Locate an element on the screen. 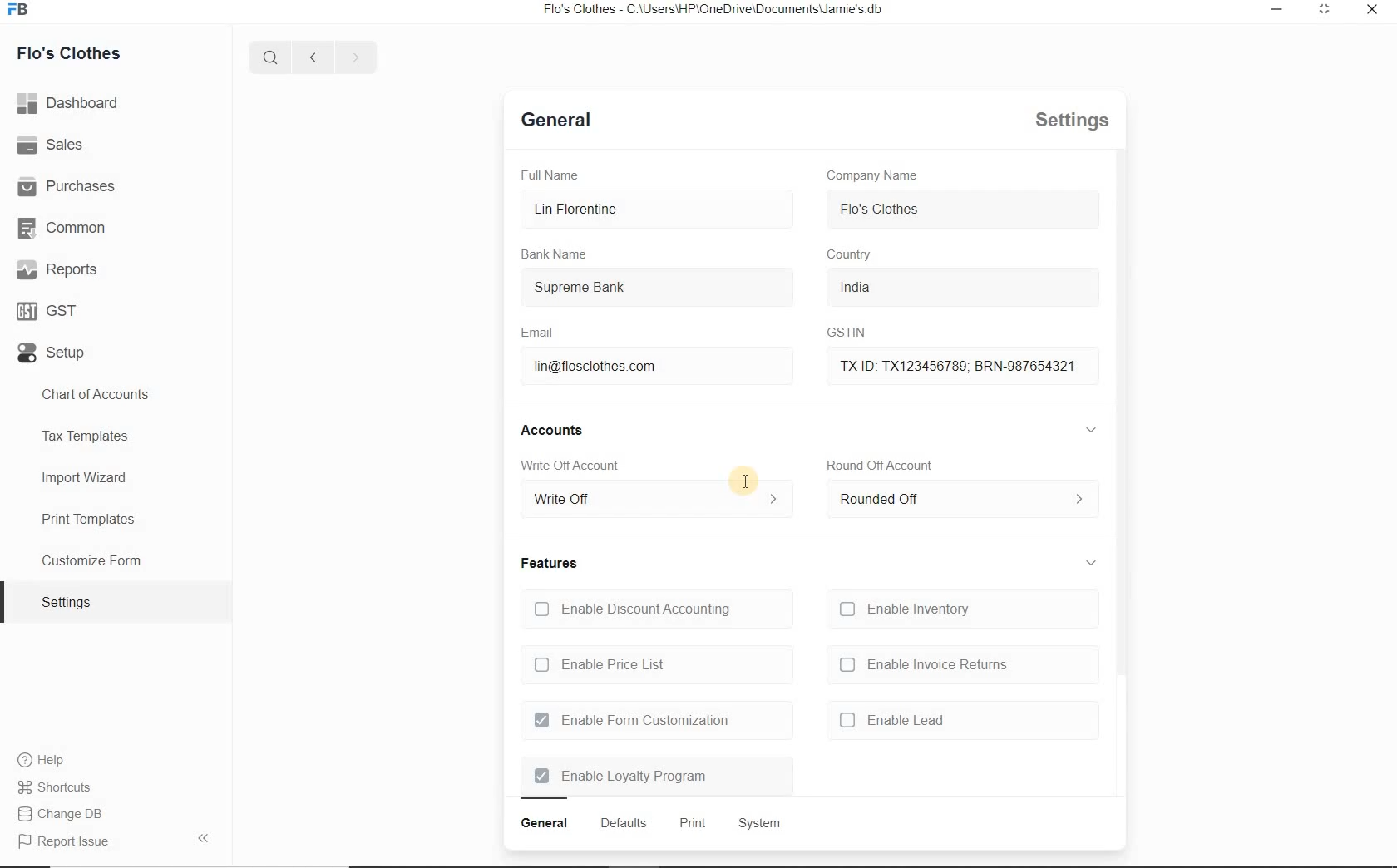  Help is located at coordinates (47, 762).